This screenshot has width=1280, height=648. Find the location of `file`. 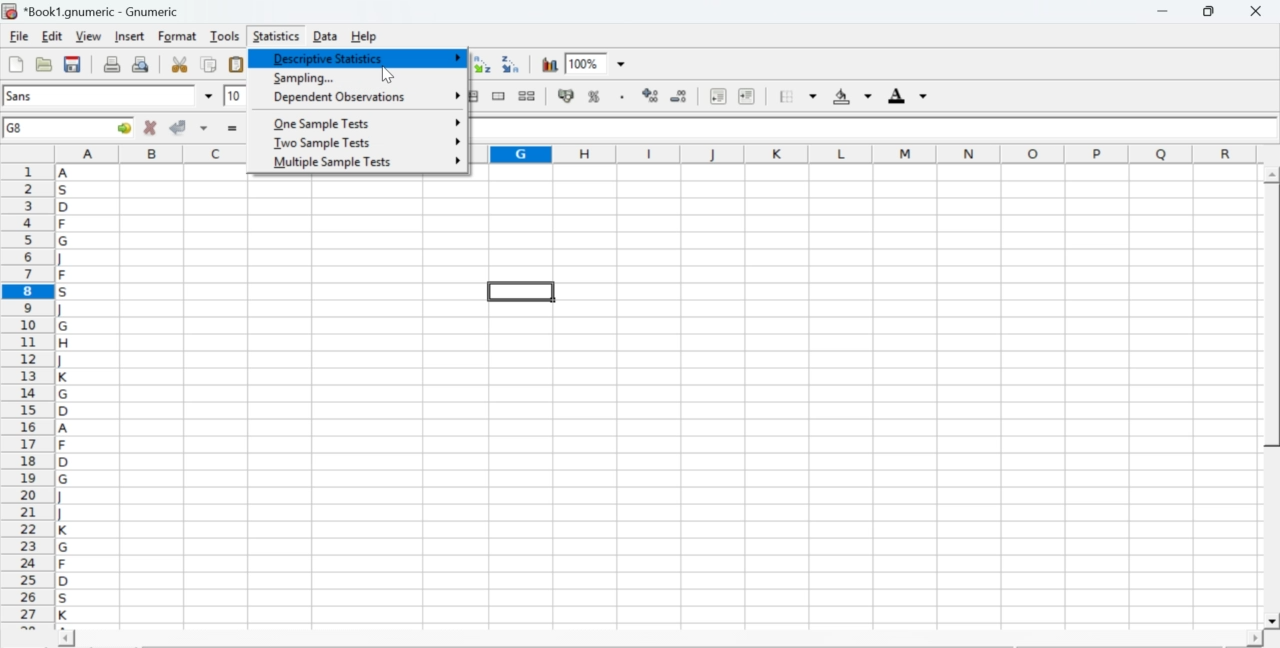

file is located at coordinates (18, 37).